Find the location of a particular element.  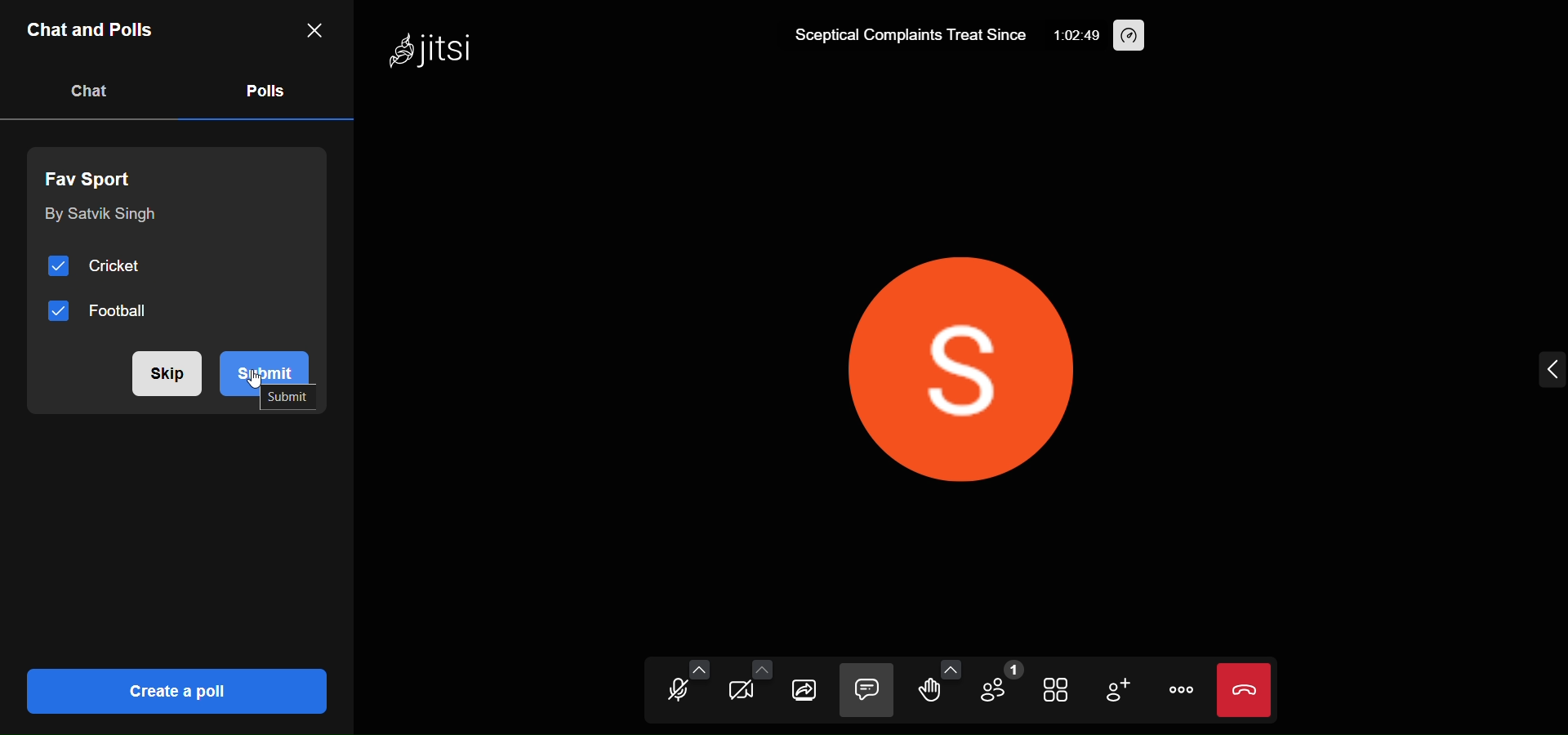

chat is located at coordinates (866, 691).